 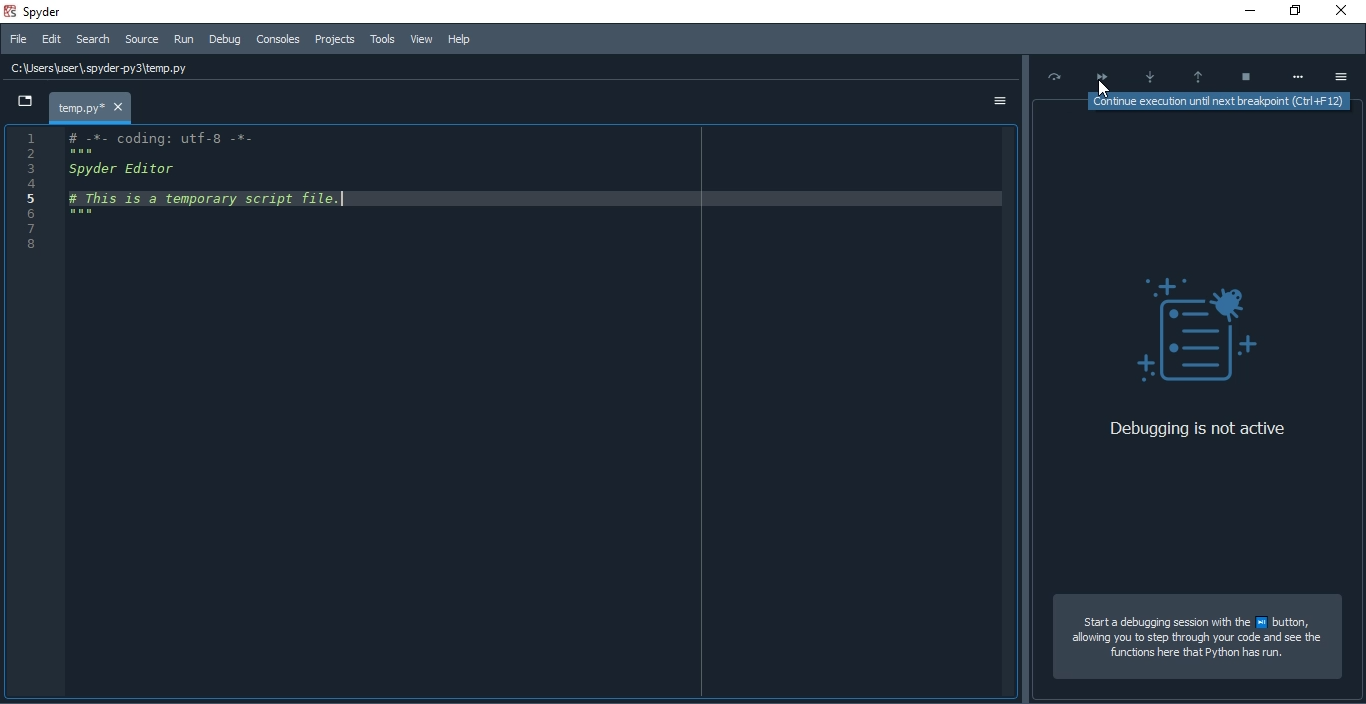 What do you see at coordinates (212, 177) in the screenshot?
I see `# -%- coding: uttT-8 -*-
Spyder Editor
# This is a temporary script file.|` at bounding box center [212, 177].